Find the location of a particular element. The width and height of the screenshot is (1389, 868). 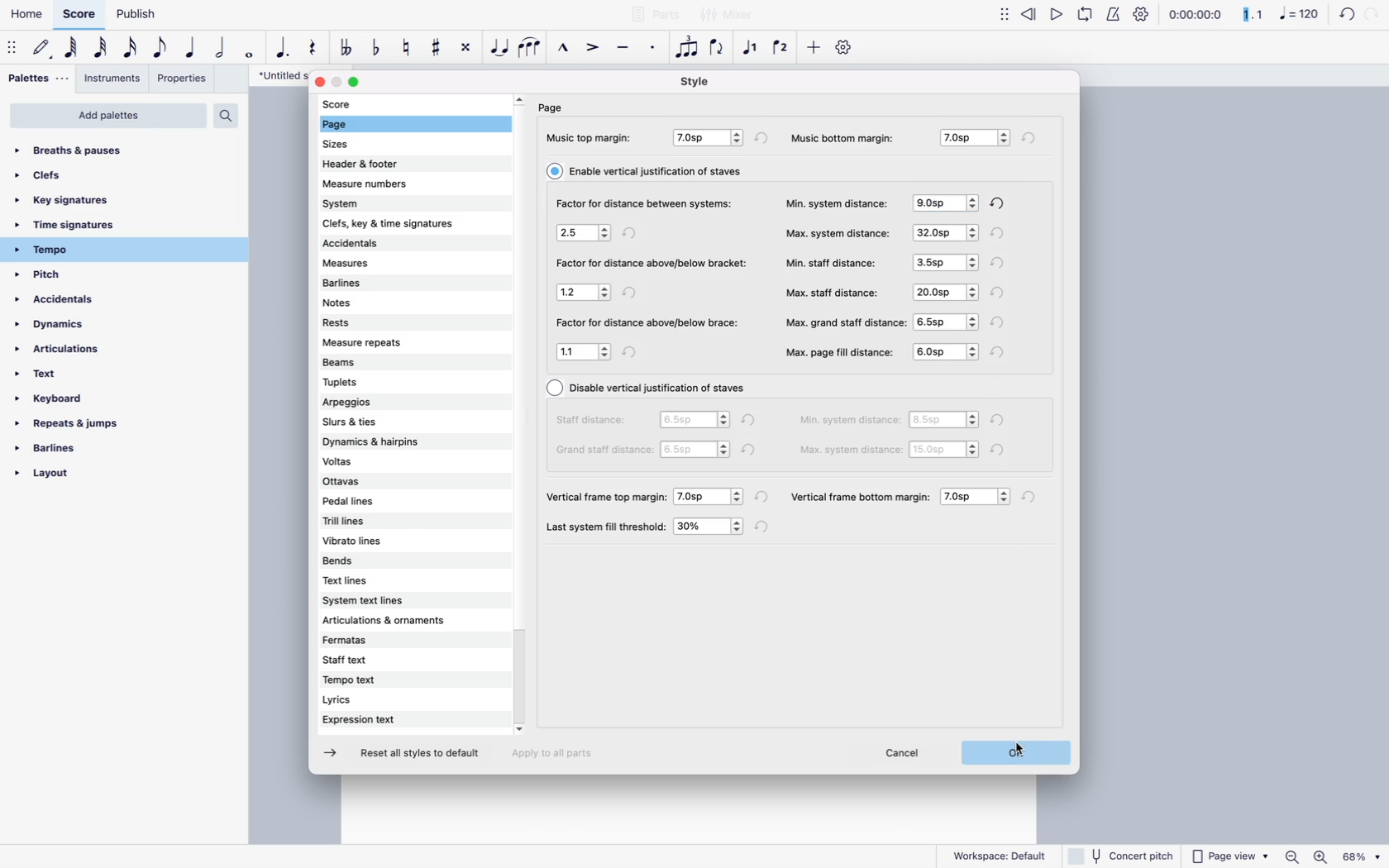

music bottom margin is located at coordinates (850, 136).